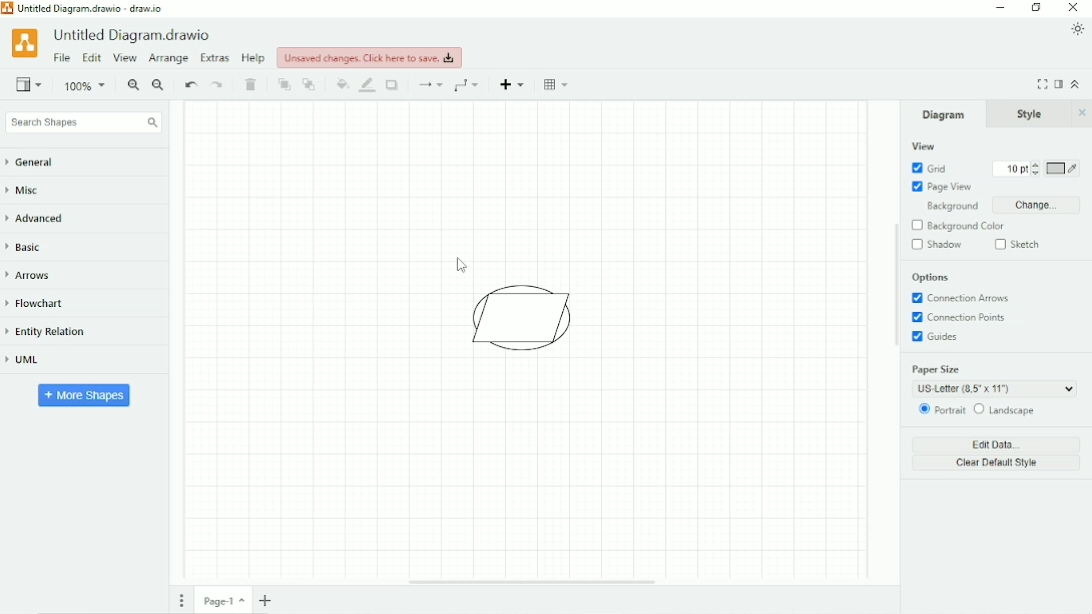 The height and width of the screenshot is (614, 1092). I want to click on Background, so click(948, 207).